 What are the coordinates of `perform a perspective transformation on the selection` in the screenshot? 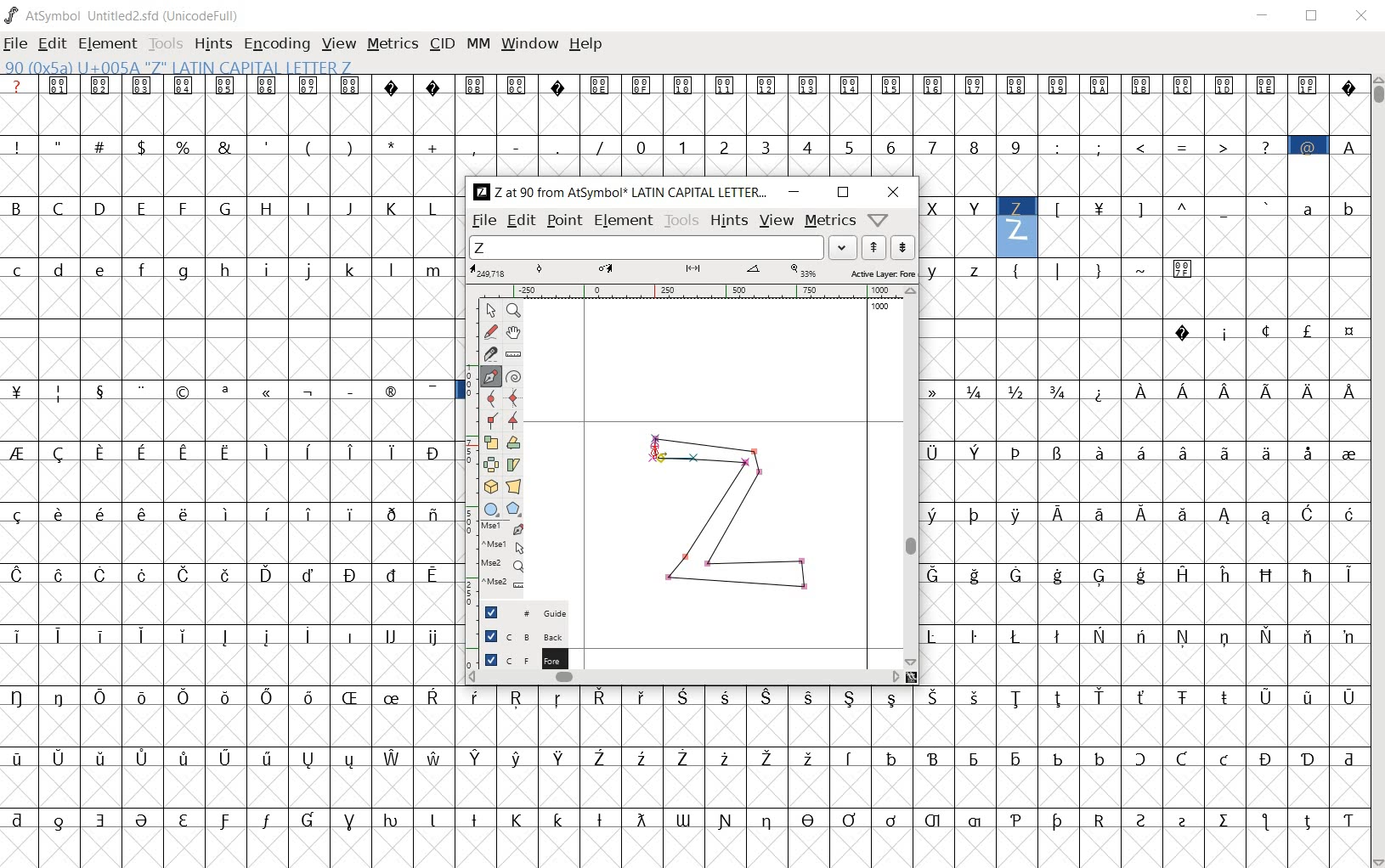 It's located at (513, 487).